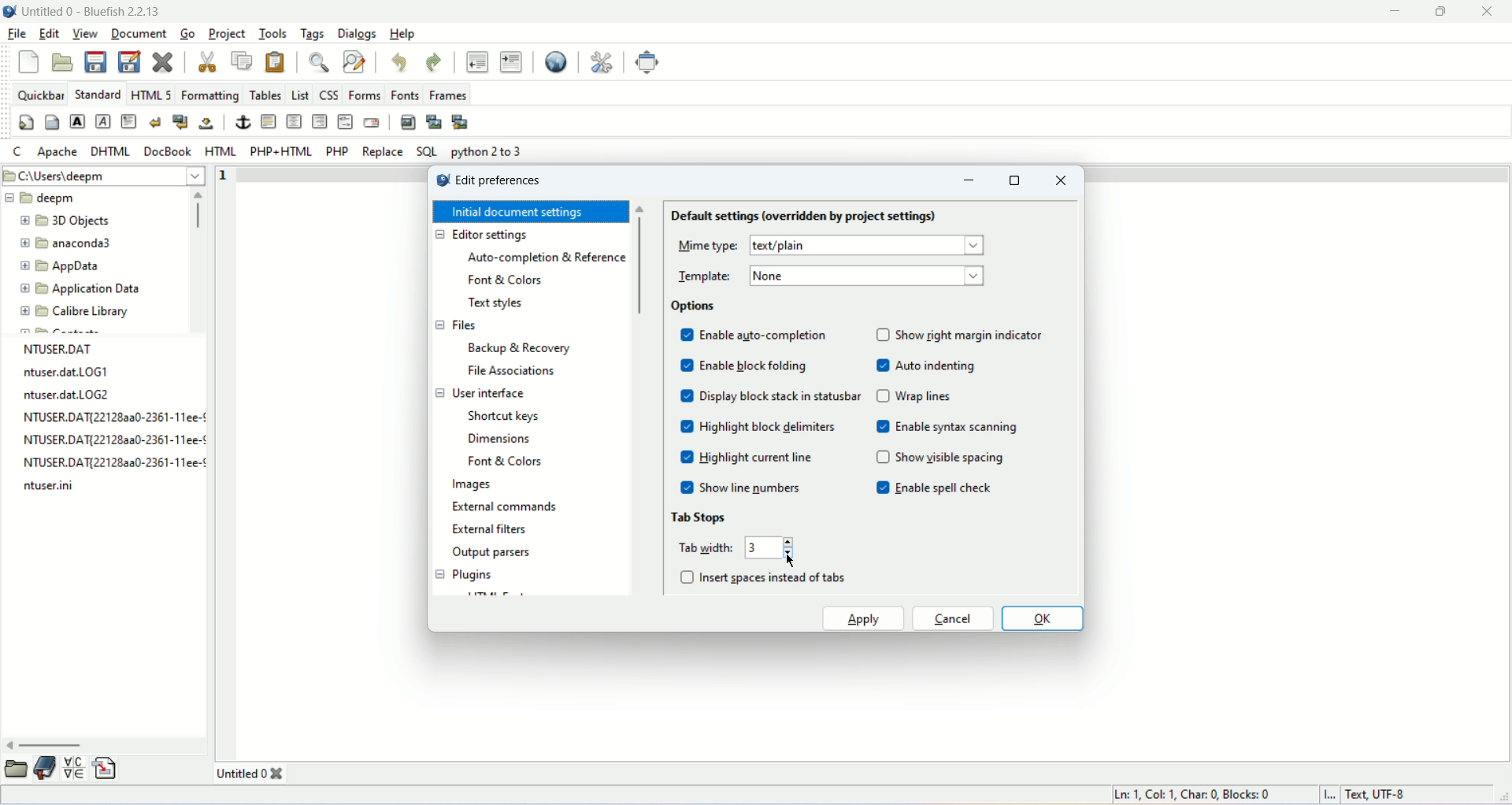 The width and height of the screenshot is (1512, 805). I want to click on minimize, so click(1392, 12).